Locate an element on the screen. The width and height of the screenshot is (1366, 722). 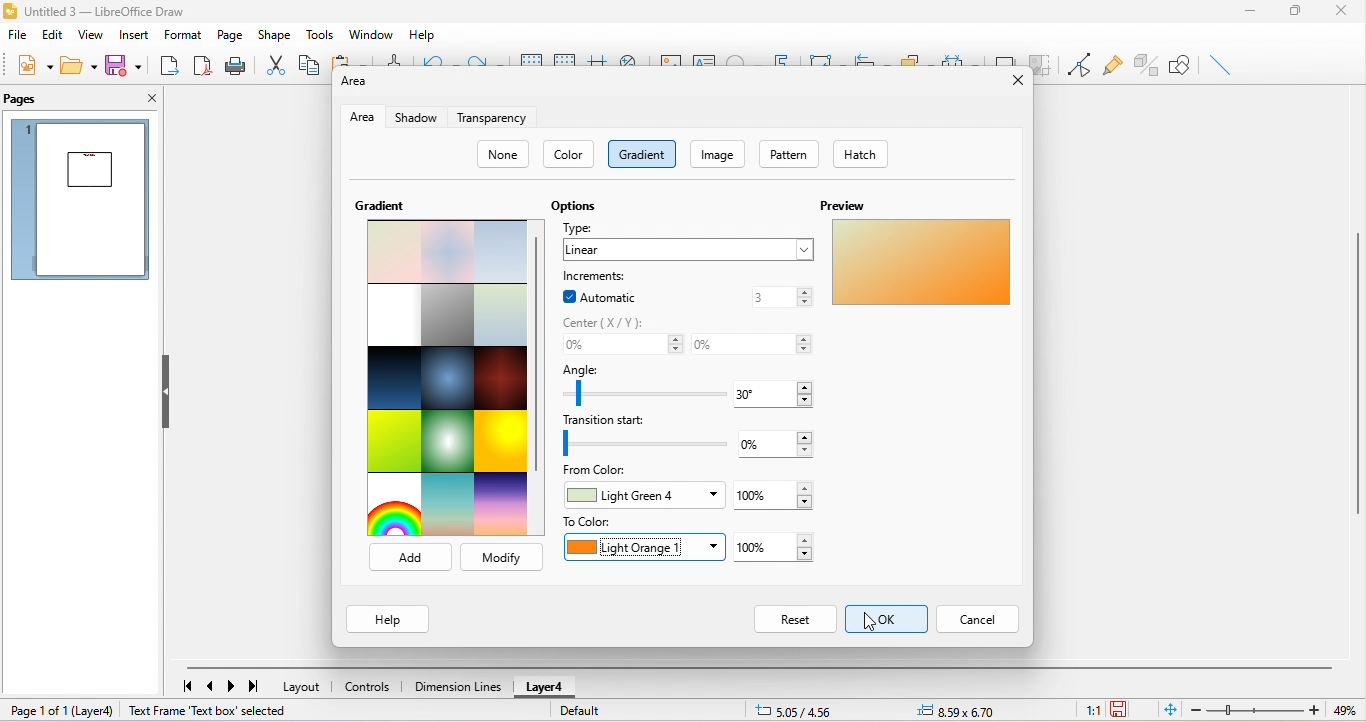
toggle extrusion is located at coordinates (1147, 62).